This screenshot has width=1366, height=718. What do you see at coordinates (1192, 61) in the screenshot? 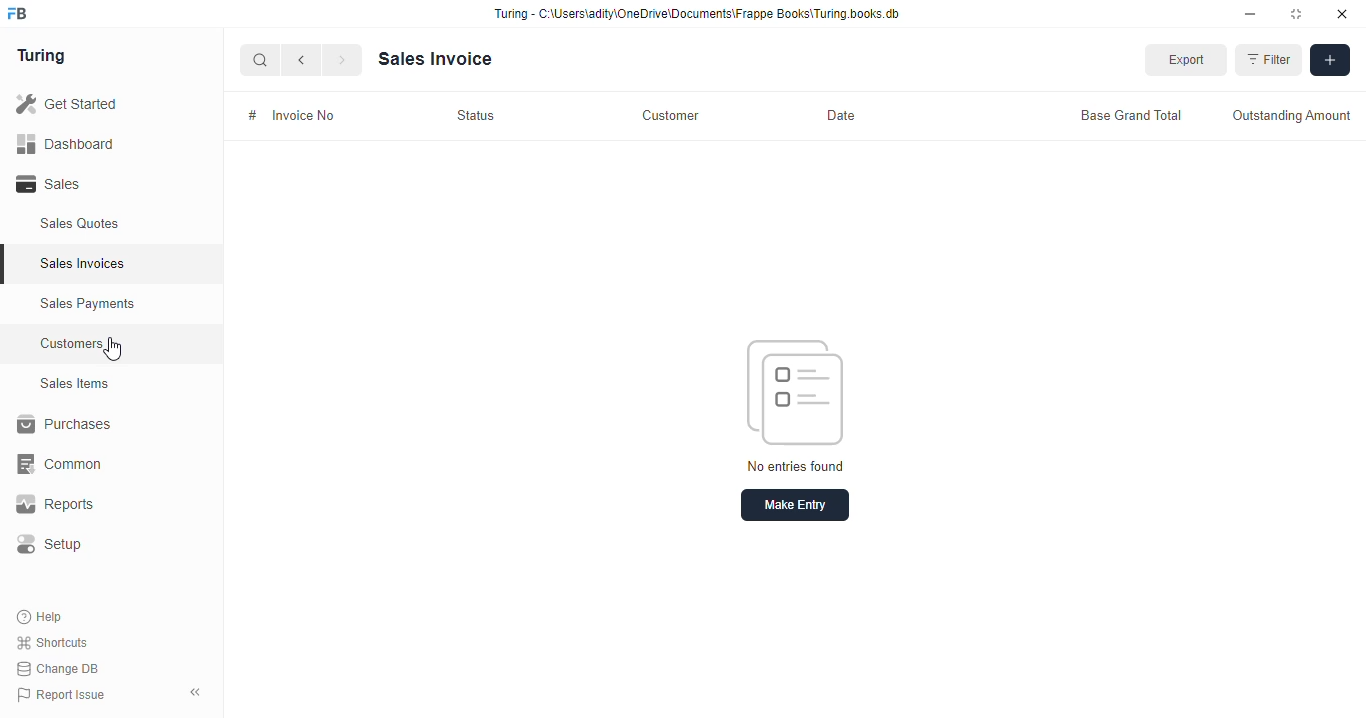
I see `Export` at bounding box center [1192, 61].